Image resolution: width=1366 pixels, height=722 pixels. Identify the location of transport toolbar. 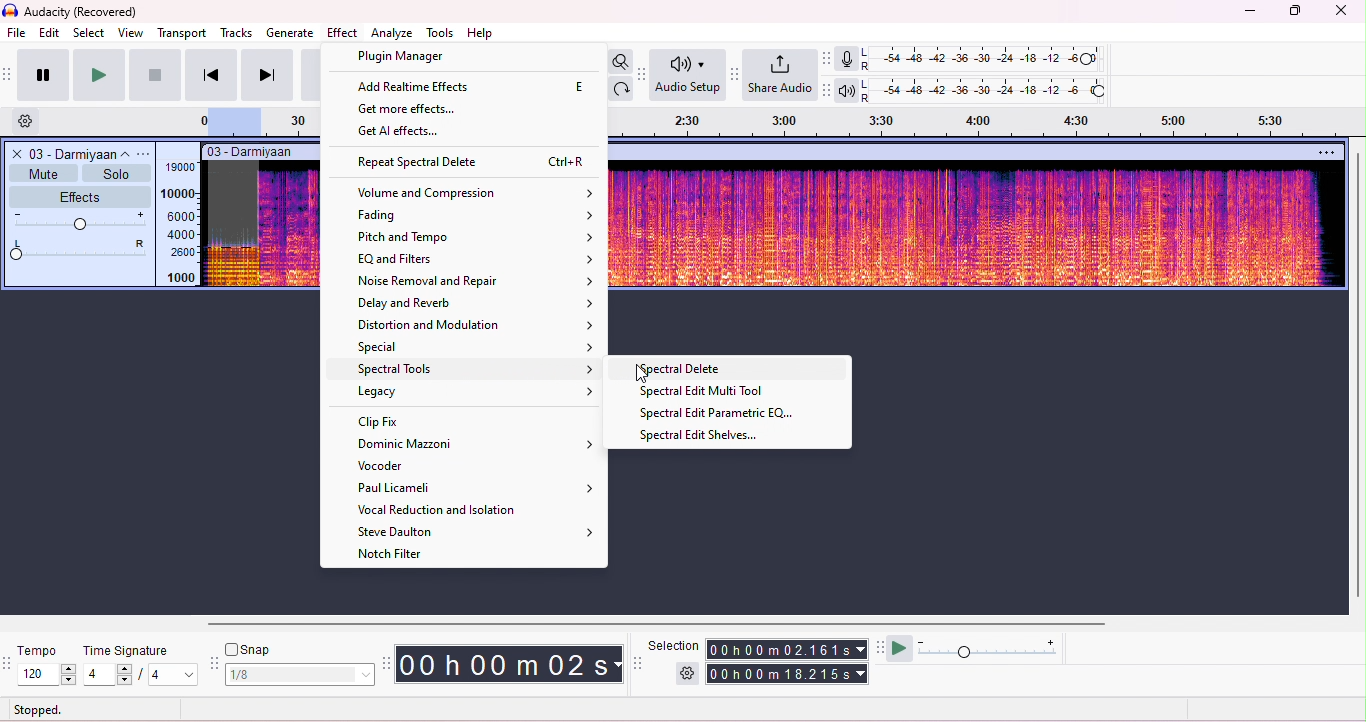
(9, 77).